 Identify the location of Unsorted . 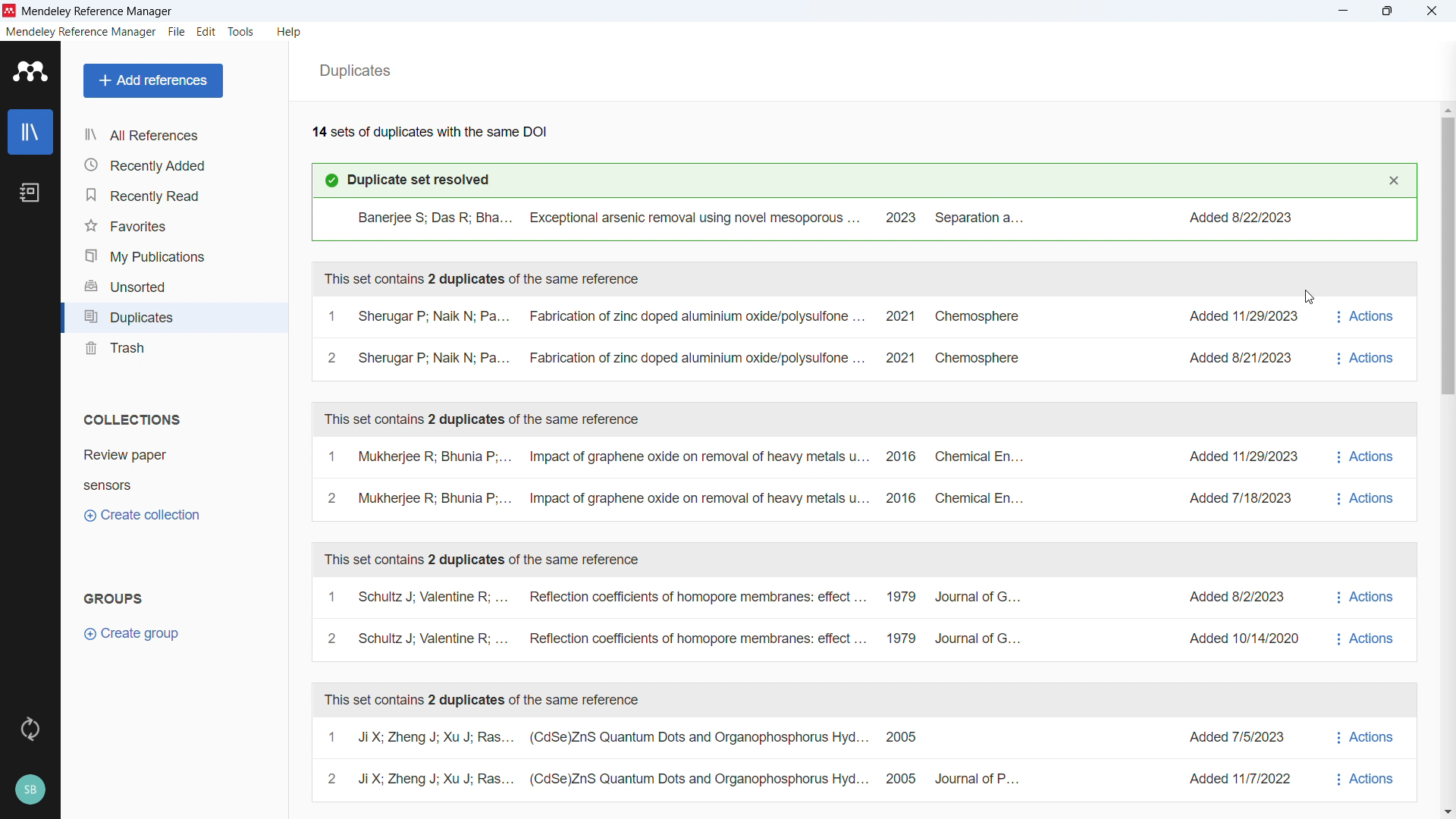
(173, 286).